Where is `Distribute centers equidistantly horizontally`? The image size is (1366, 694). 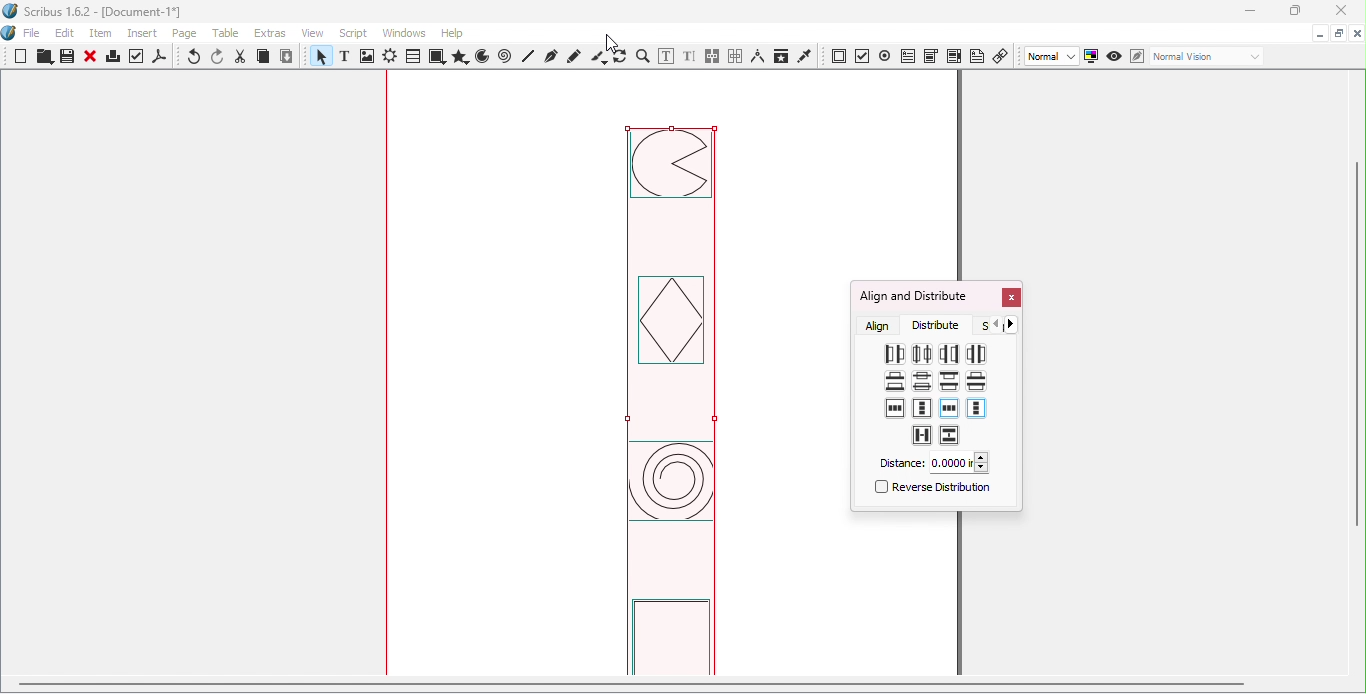
Distribute centers equidistantly horizontally is located at coordinates (921, 353).